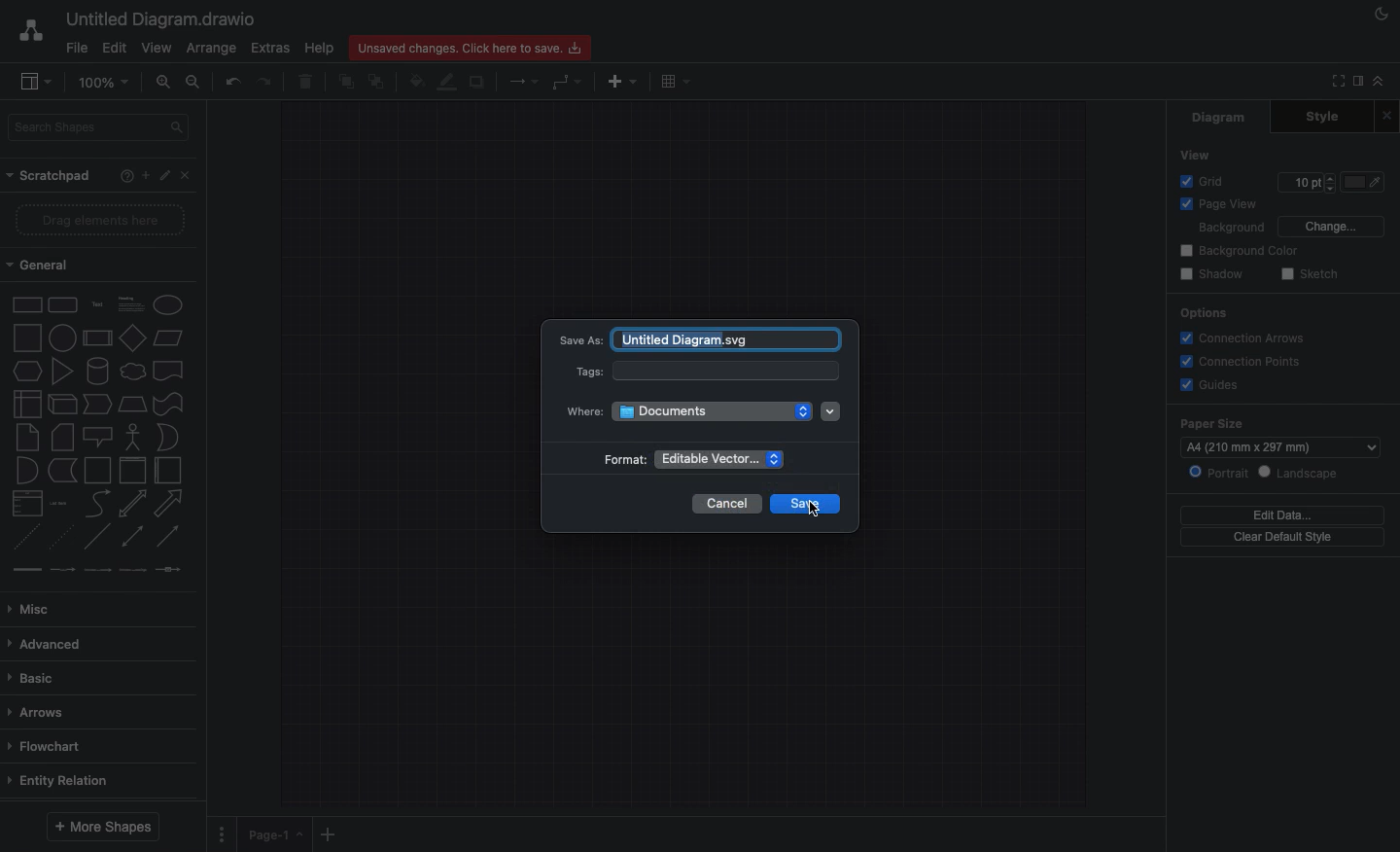  Describe the element at coordinates (1312, 274) in the screenshot. I see `Sketch` at that location.